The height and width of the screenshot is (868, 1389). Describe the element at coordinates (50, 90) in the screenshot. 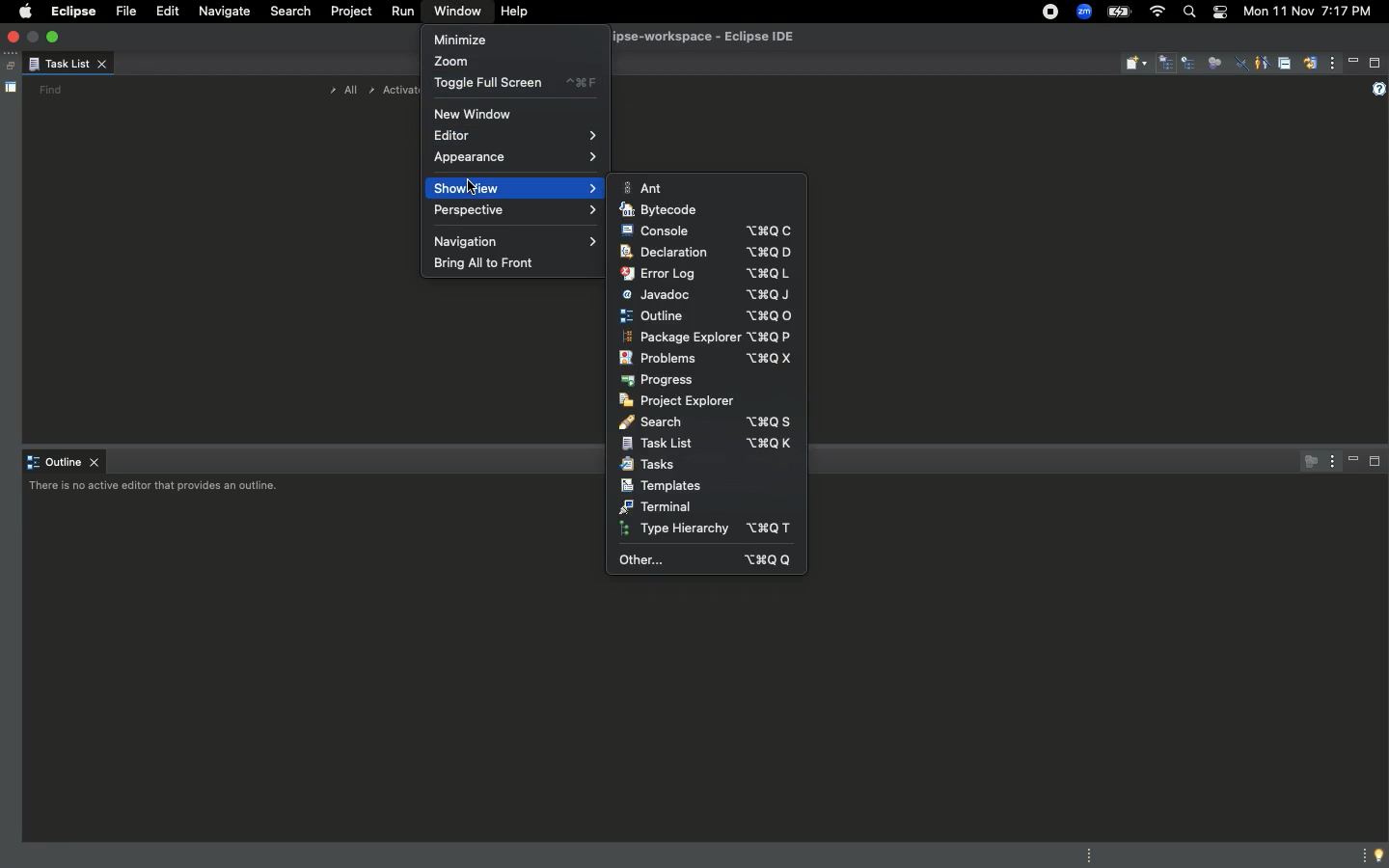

I see `Find` at that location.